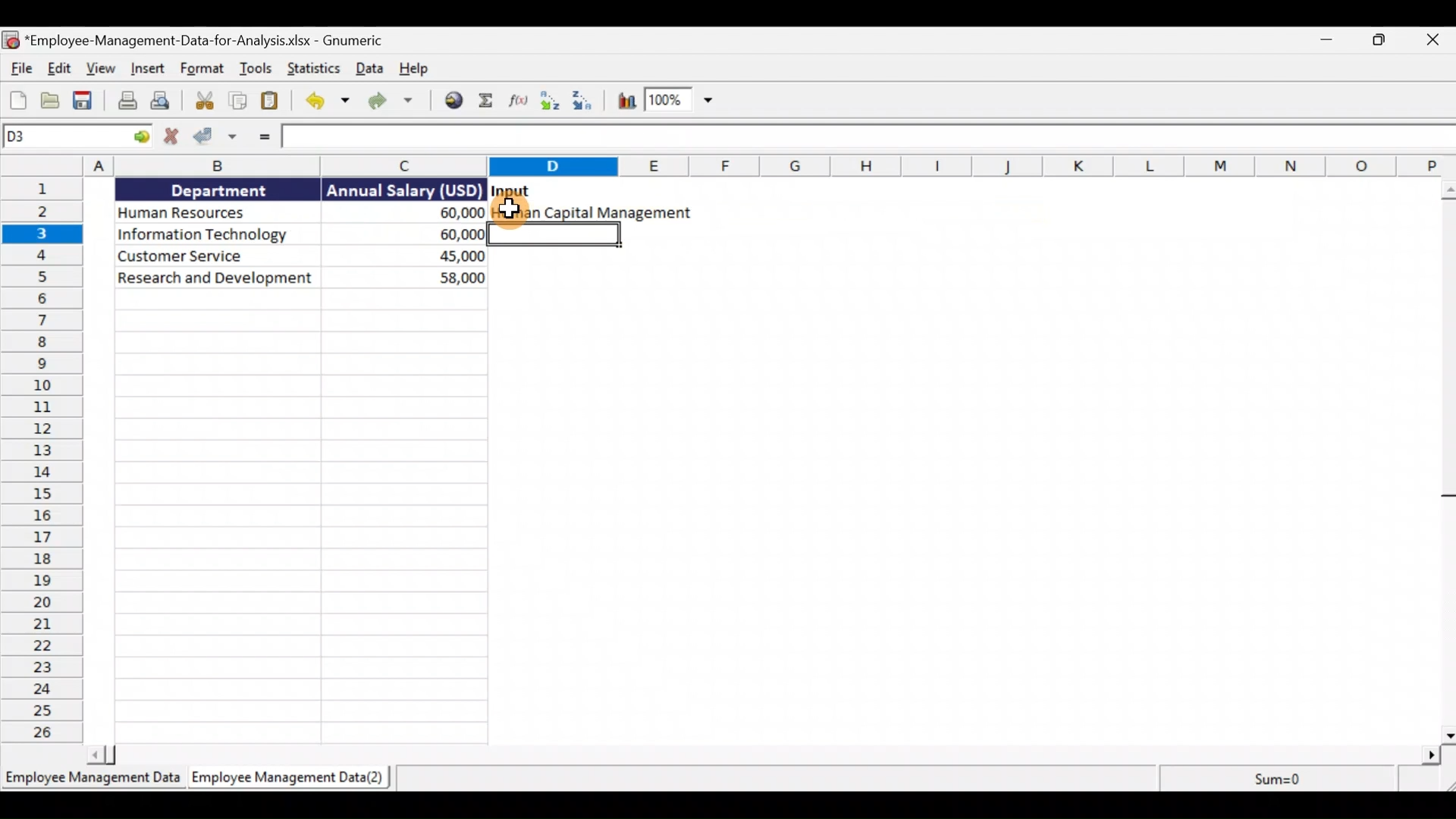  I want to click on Sum into current cell, so click(486, 102).